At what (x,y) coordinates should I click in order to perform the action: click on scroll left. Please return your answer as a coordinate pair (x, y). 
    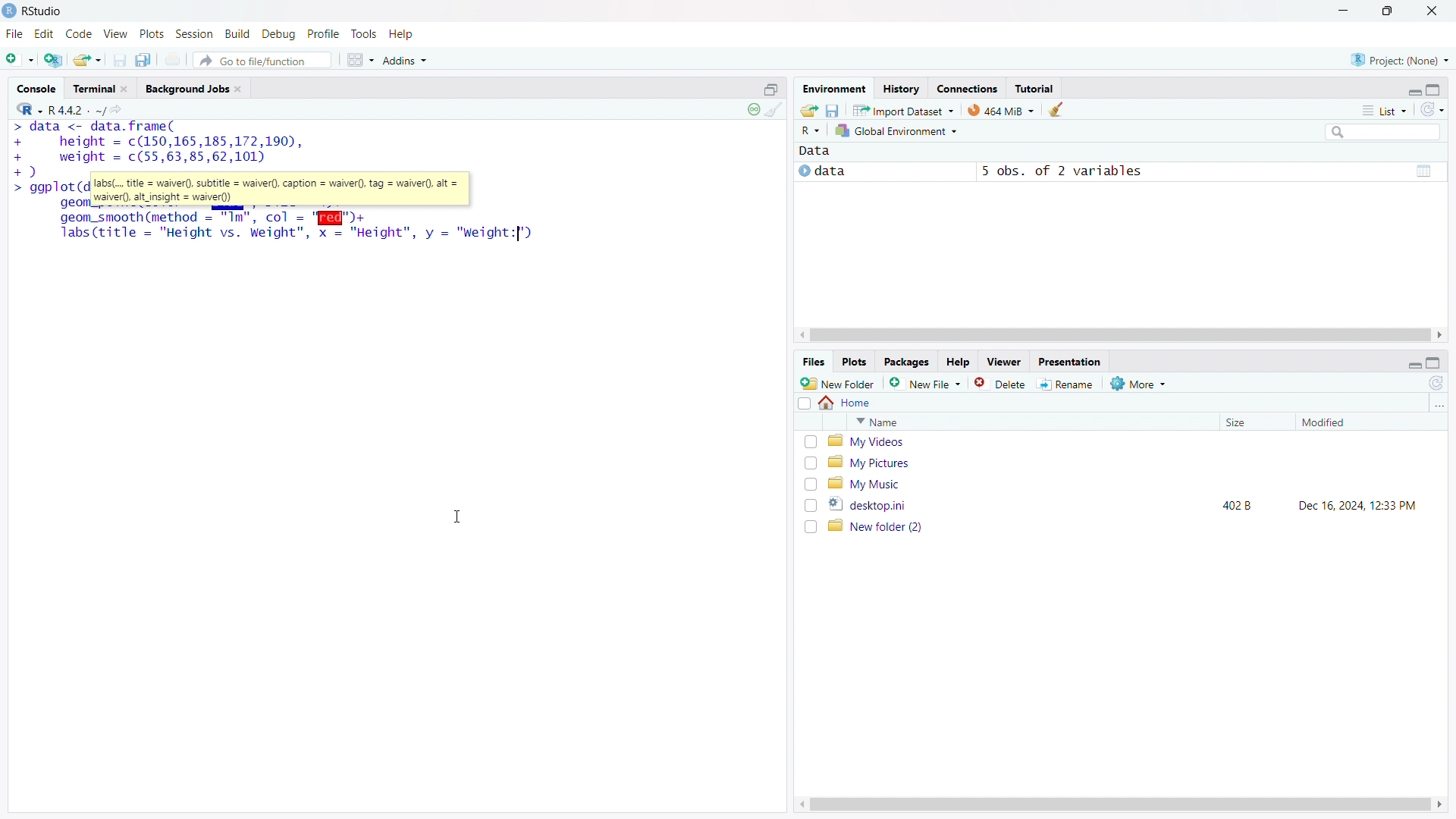
    Looking at the image, I should click on (799, 805).